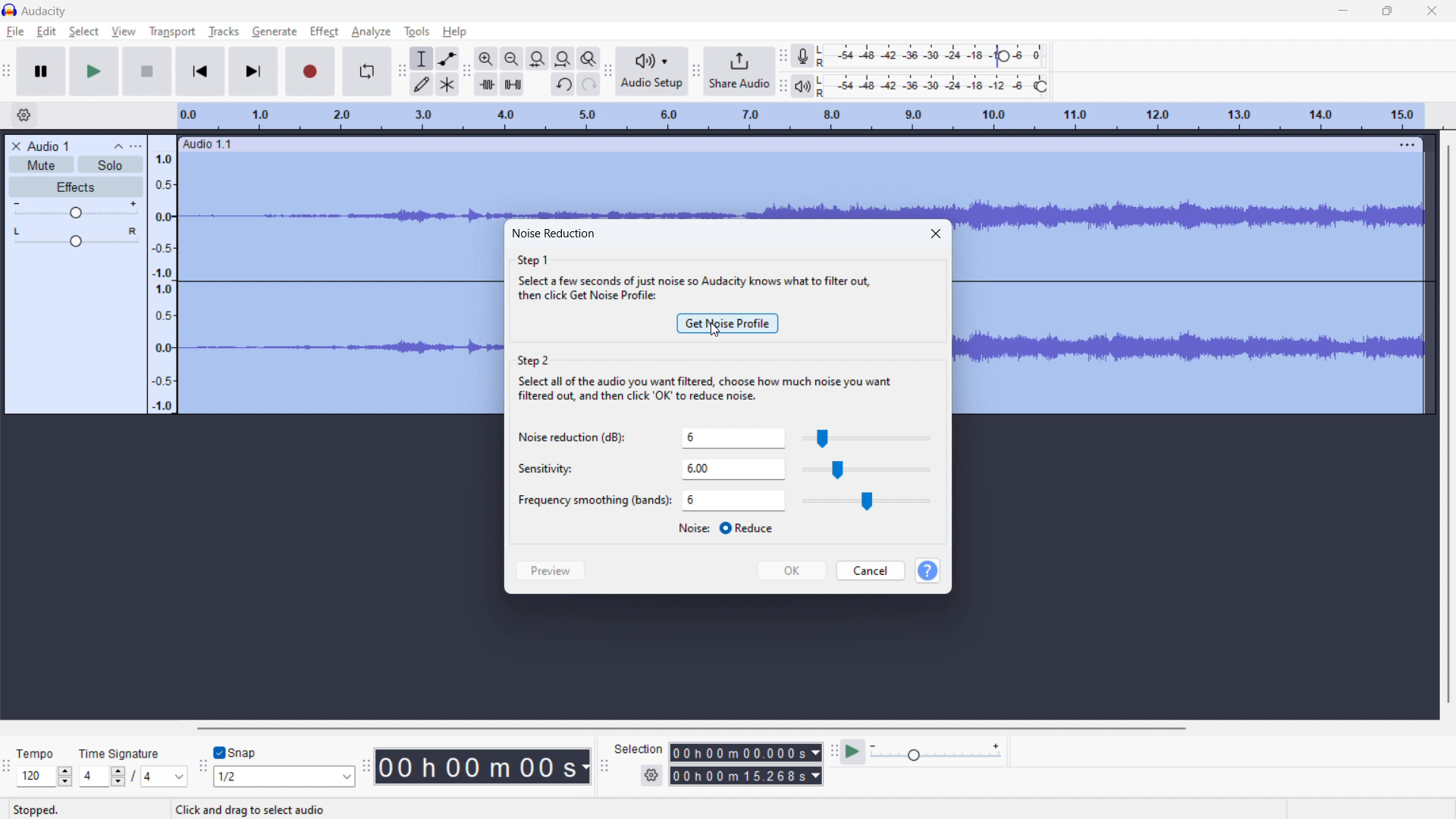 The height and width of the screenshot is (819, 1456). Describe the element at coordinates (45, 11) in the screenshot. I see `title` at that location.